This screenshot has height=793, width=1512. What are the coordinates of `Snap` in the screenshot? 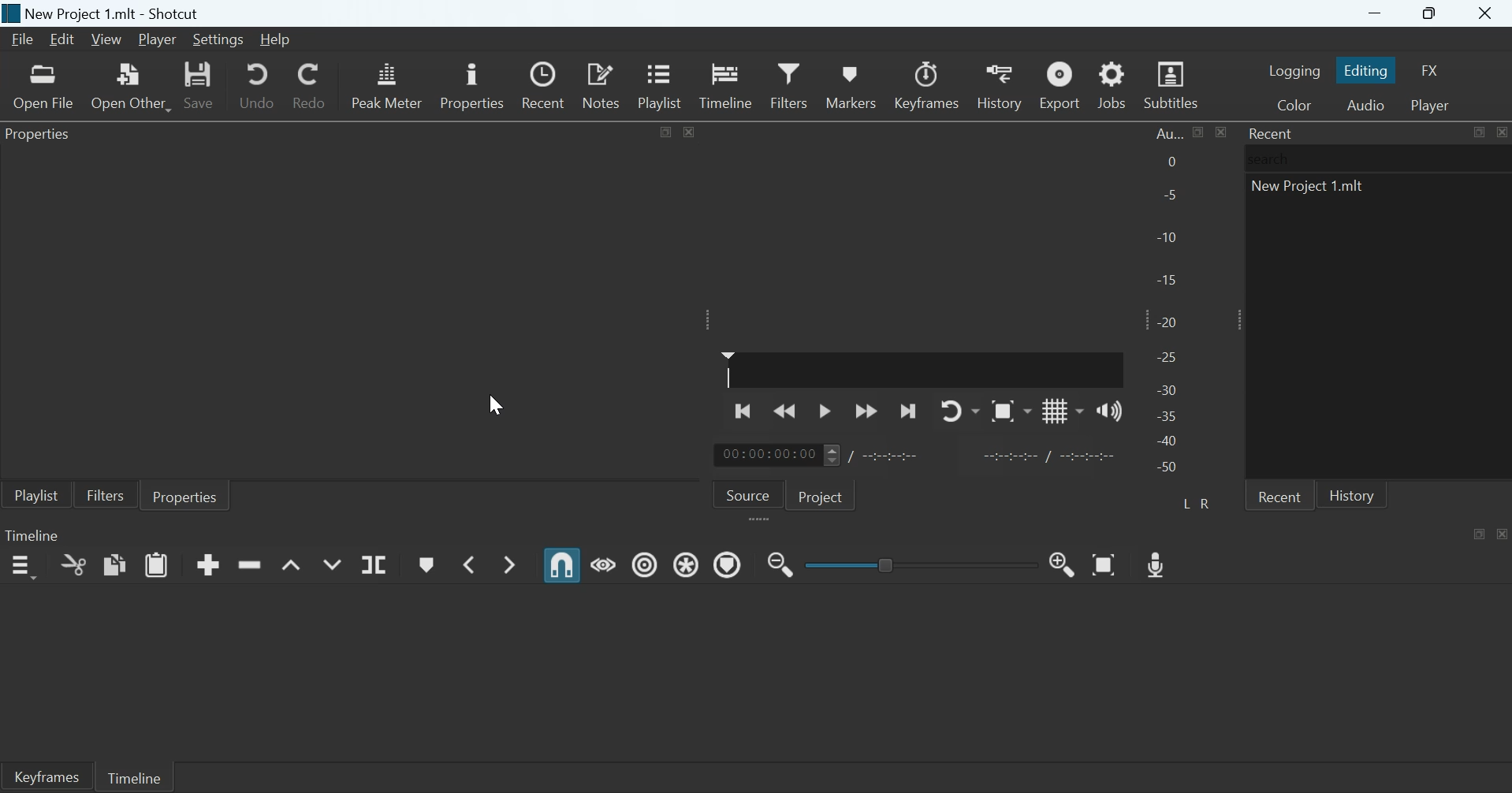 It's located at (562, 565).